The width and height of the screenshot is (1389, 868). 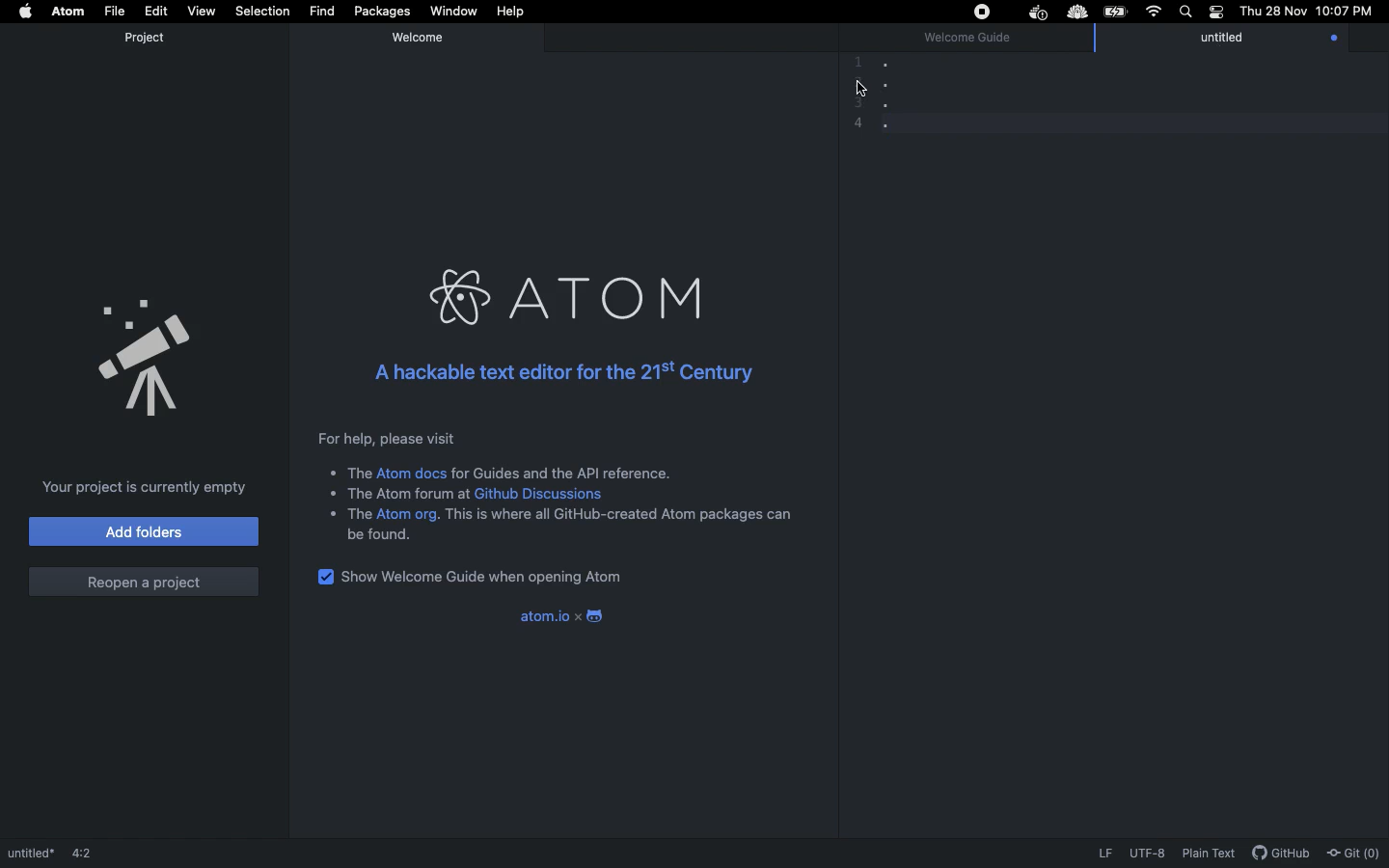 What do you see at coordinates (513, 12) in the screenshot?
I see `Help` at bounding box center [513, 12].